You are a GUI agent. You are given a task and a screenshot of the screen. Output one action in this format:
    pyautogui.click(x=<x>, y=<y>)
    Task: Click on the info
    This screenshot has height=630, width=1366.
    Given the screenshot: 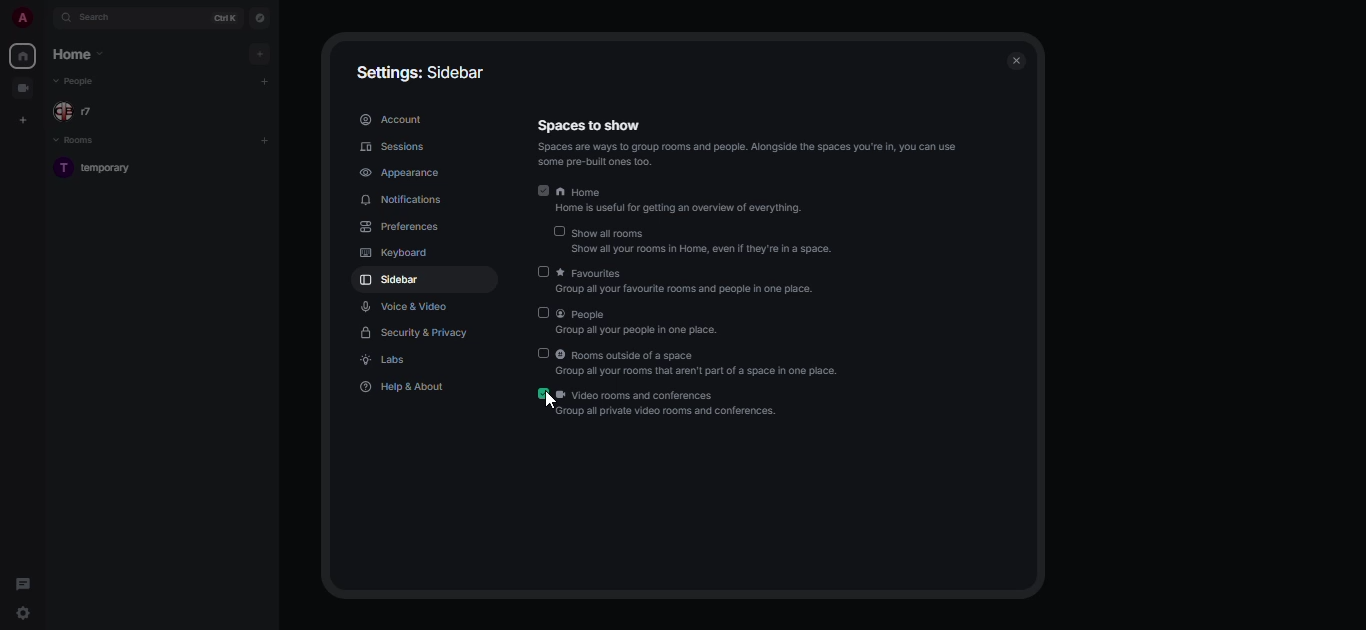 What is the action you would take?
    pyautogui.click(x=754, y=154)
    